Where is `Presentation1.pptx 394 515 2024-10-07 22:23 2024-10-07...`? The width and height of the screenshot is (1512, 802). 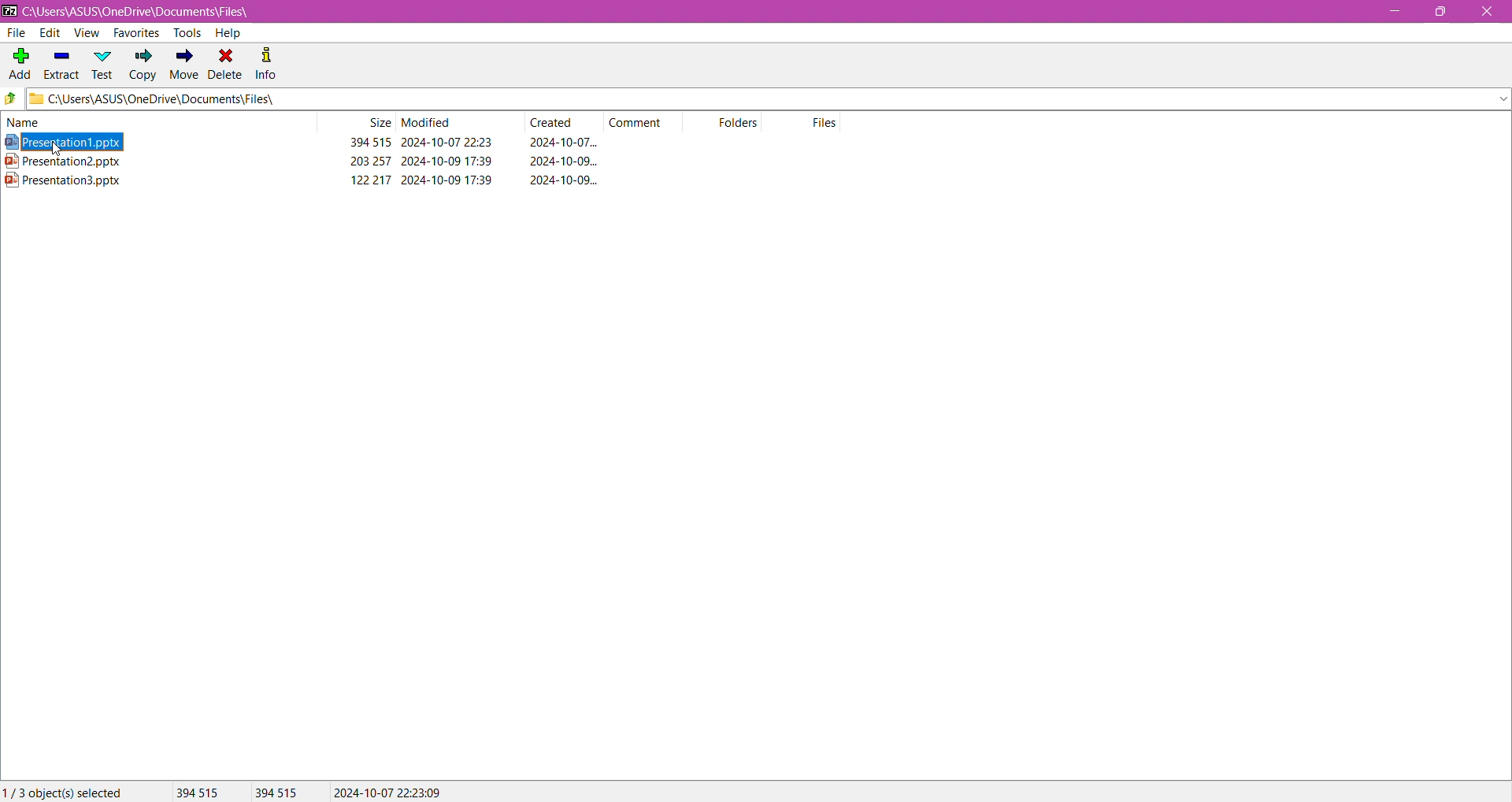 Presentation1.pptx 394 515 2024-10-07 22:23 2024-10-07... is located at coordinates (308, 143).